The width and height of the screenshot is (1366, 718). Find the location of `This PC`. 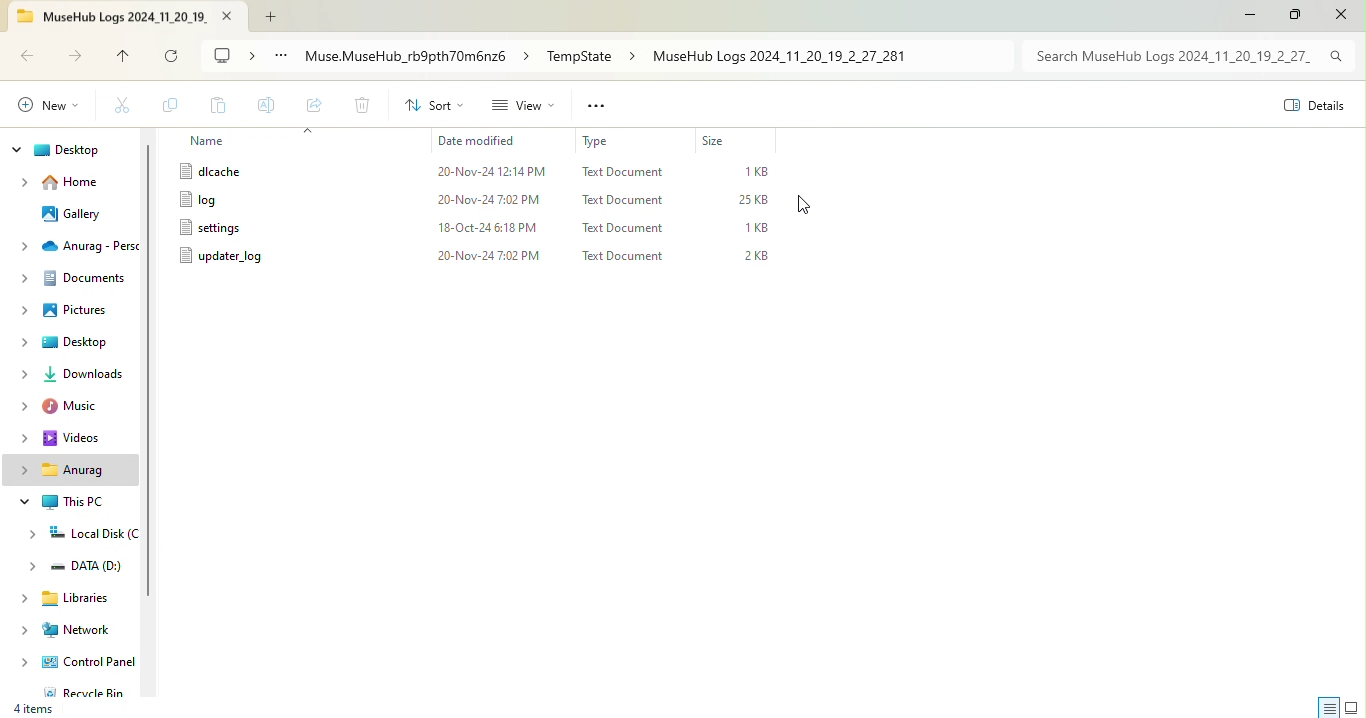

This PC is located at coordinates (64, 504).